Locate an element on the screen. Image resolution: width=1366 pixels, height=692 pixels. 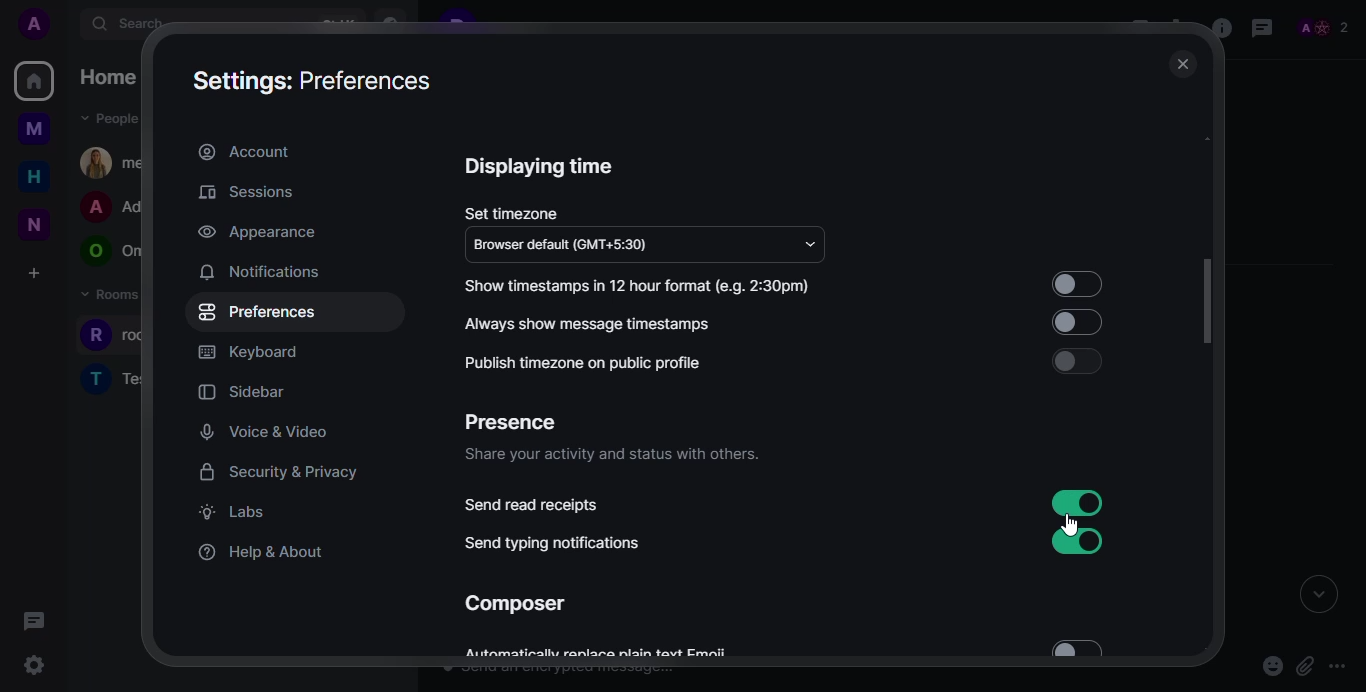
myspace is located at coordinates (33, 131).